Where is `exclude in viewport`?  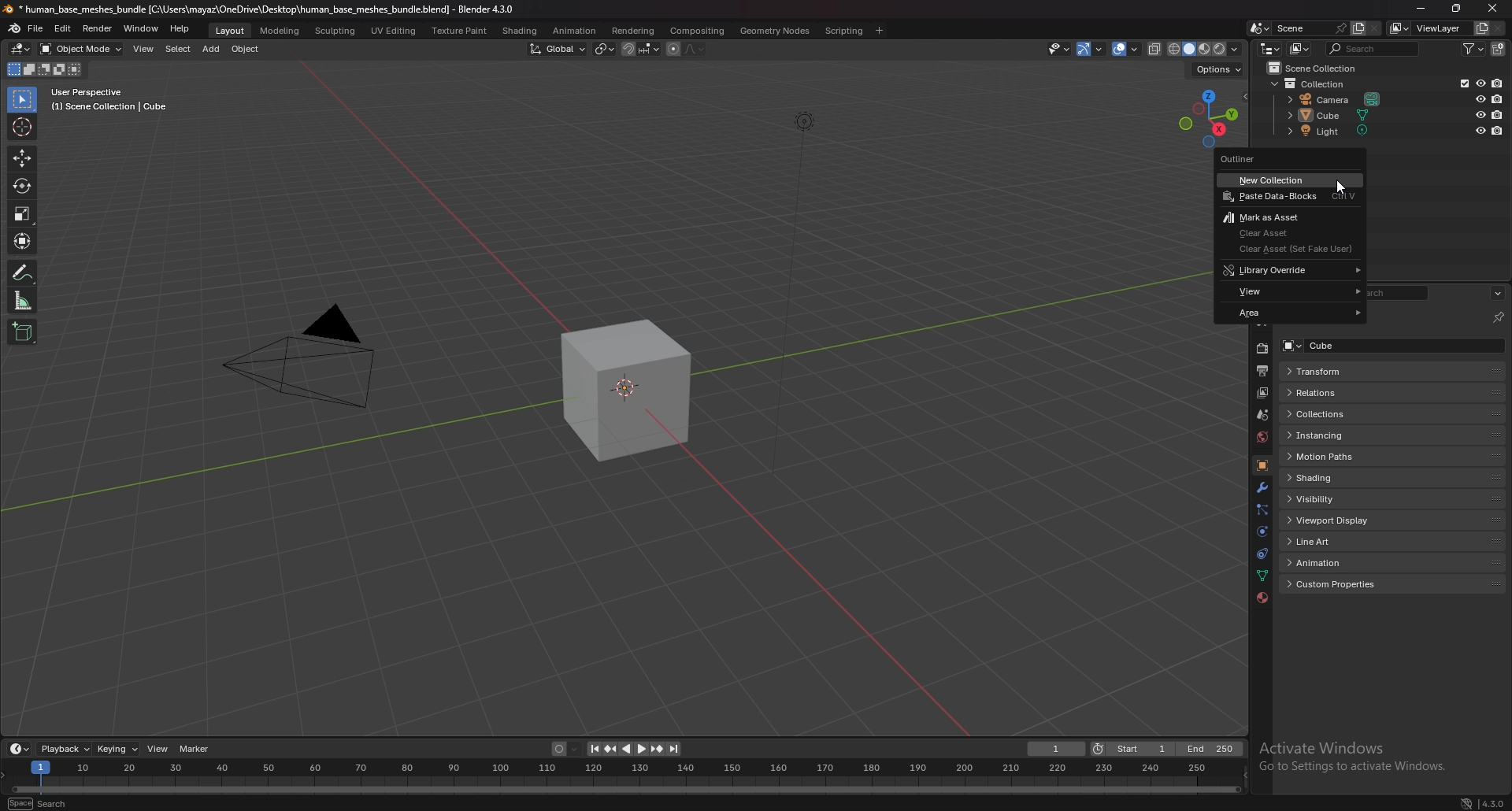 exclude in viewport is located at coordinates (1462, 83).